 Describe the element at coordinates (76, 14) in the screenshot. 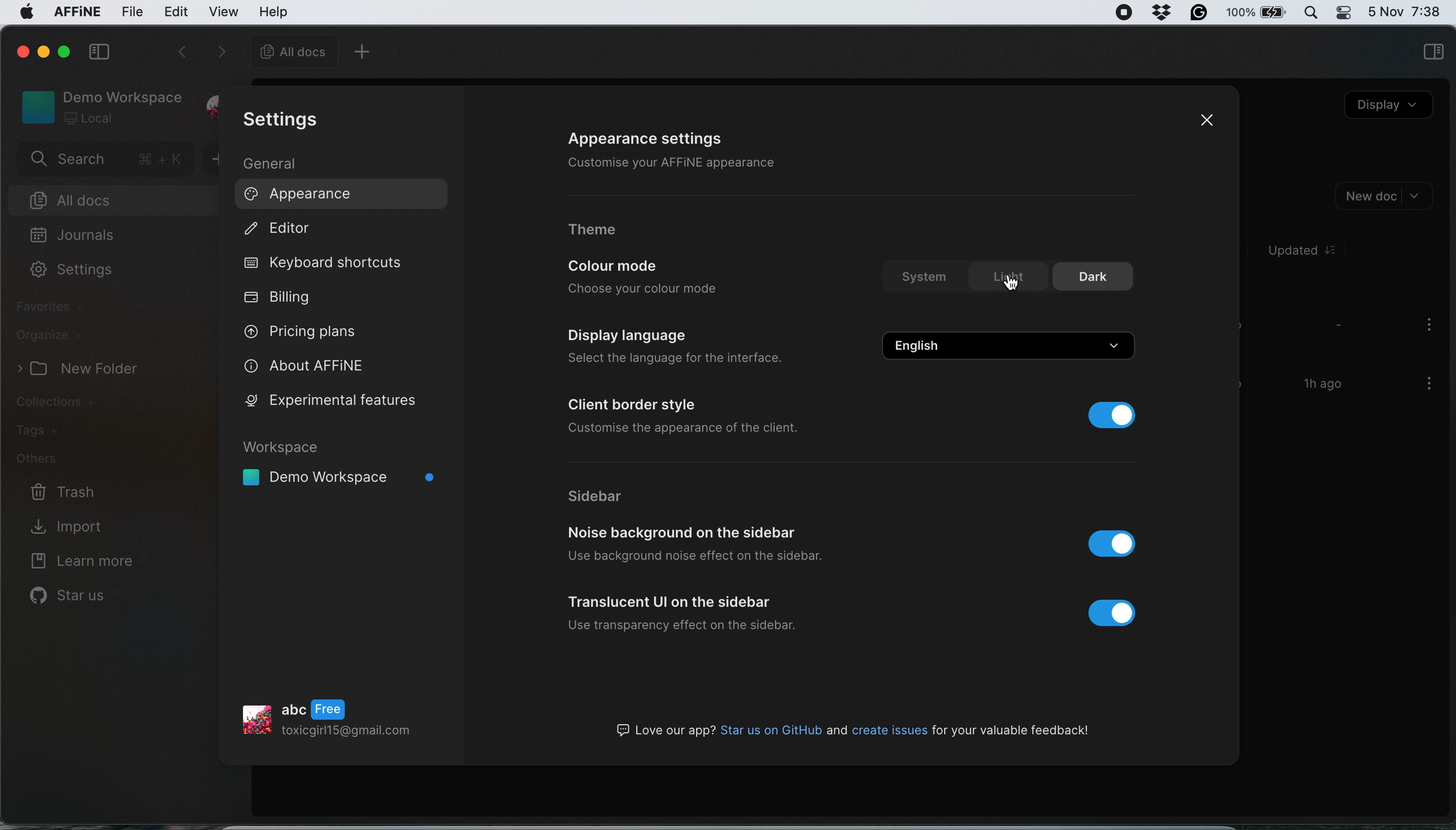

I see `affine` at that location.